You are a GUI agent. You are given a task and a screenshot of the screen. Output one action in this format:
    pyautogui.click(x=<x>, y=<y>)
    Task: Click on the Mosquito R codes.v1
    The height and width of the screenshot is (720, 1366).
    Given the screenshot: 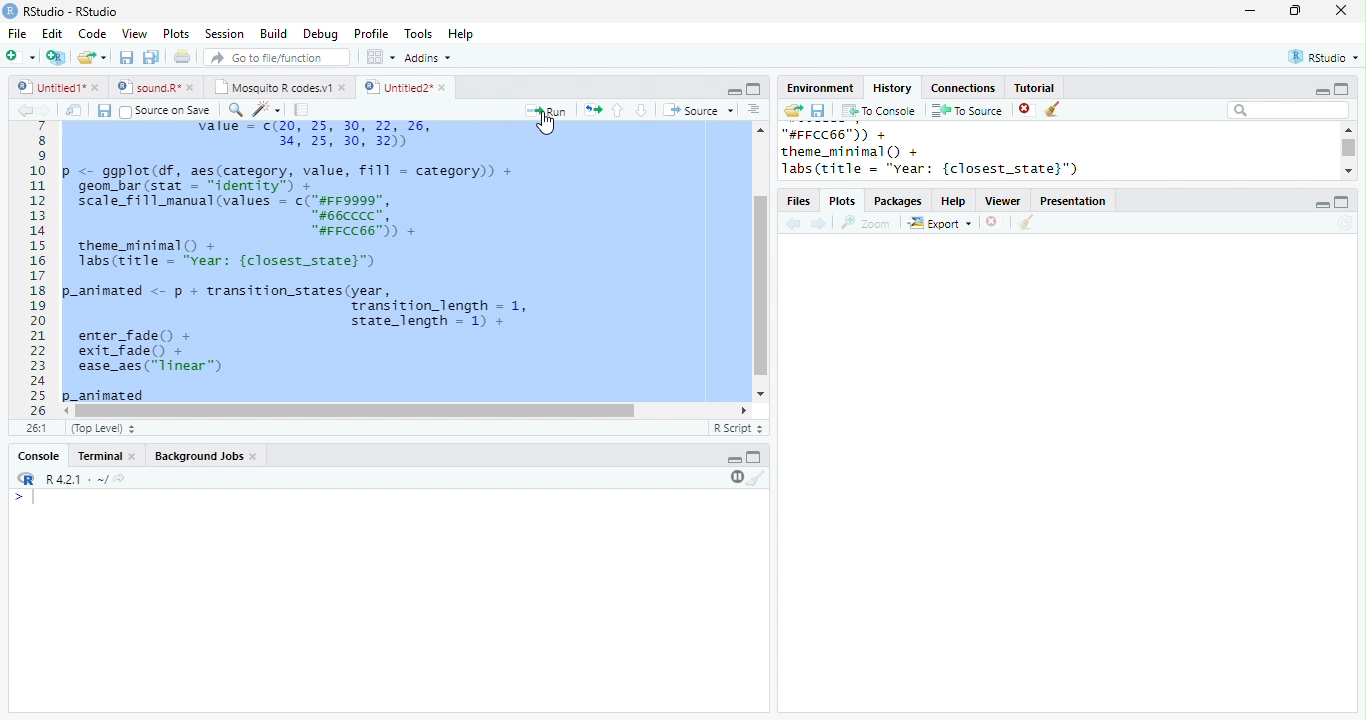 What is the action you would take?
    pyautogui.click(x=273, y=87)
    